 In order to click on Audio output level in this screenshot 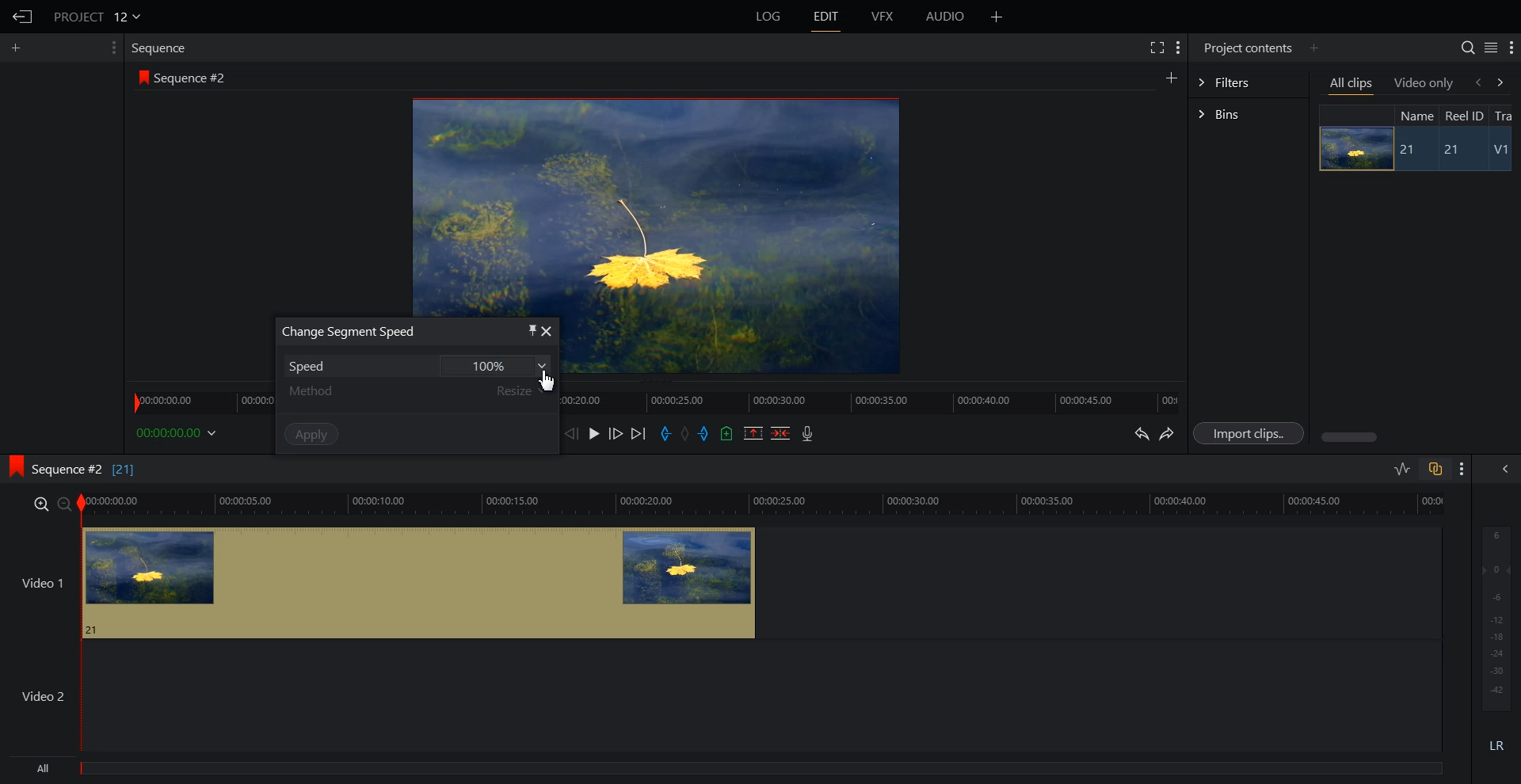, I will do `click(1493, 616)`.